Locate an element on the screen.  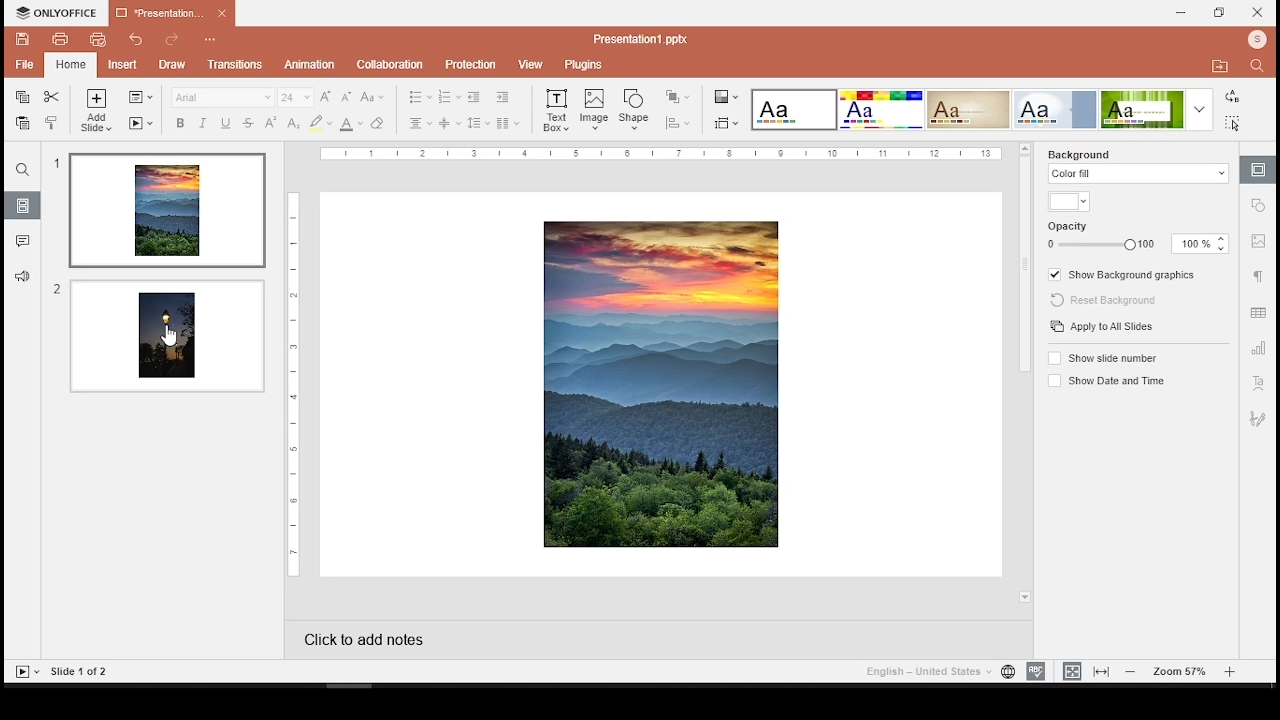
font color is located at coordinates (351, 124).